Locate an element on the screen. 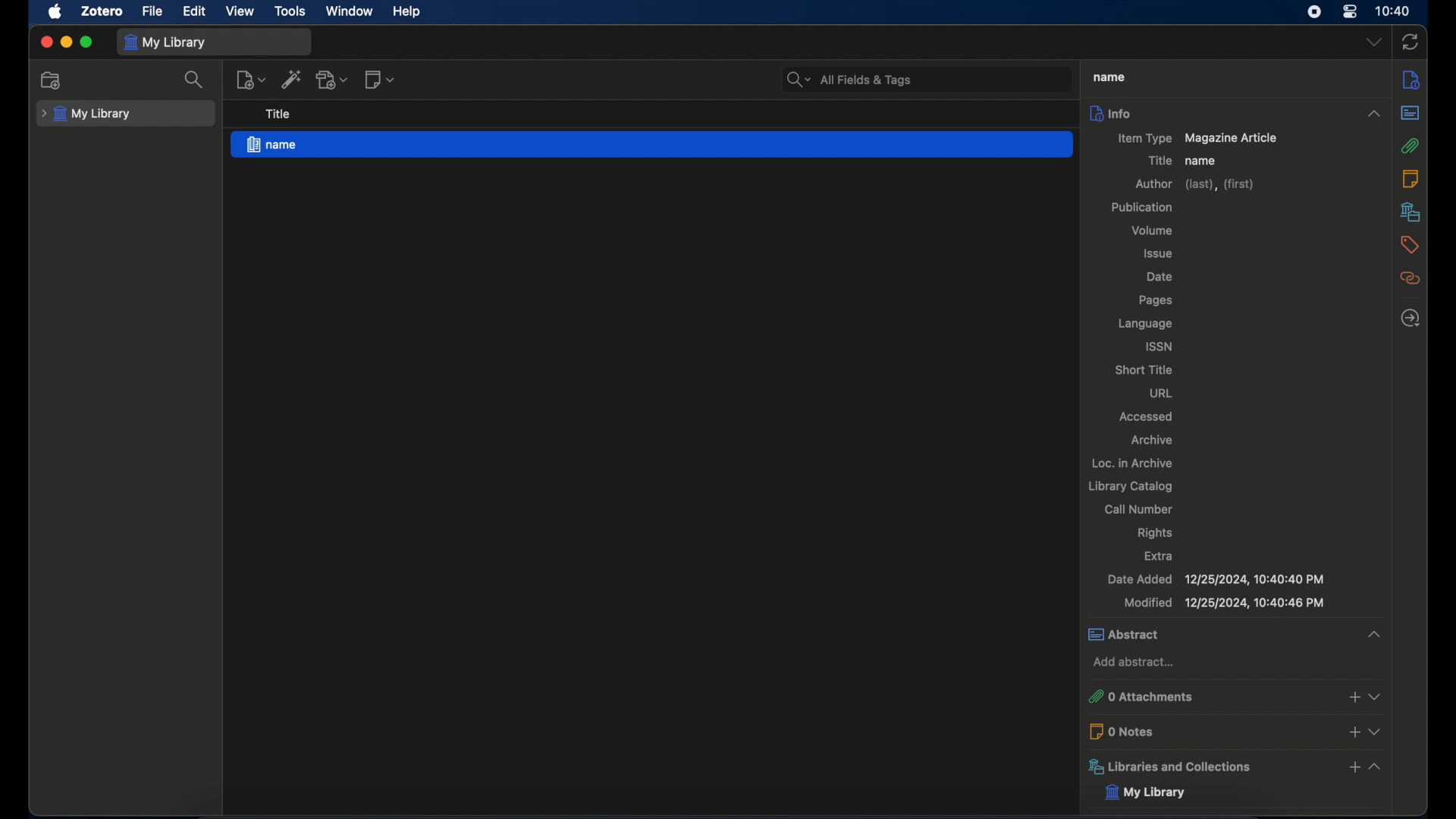 The image size is (1456, 819). edit is located at coordinates (196, 10).